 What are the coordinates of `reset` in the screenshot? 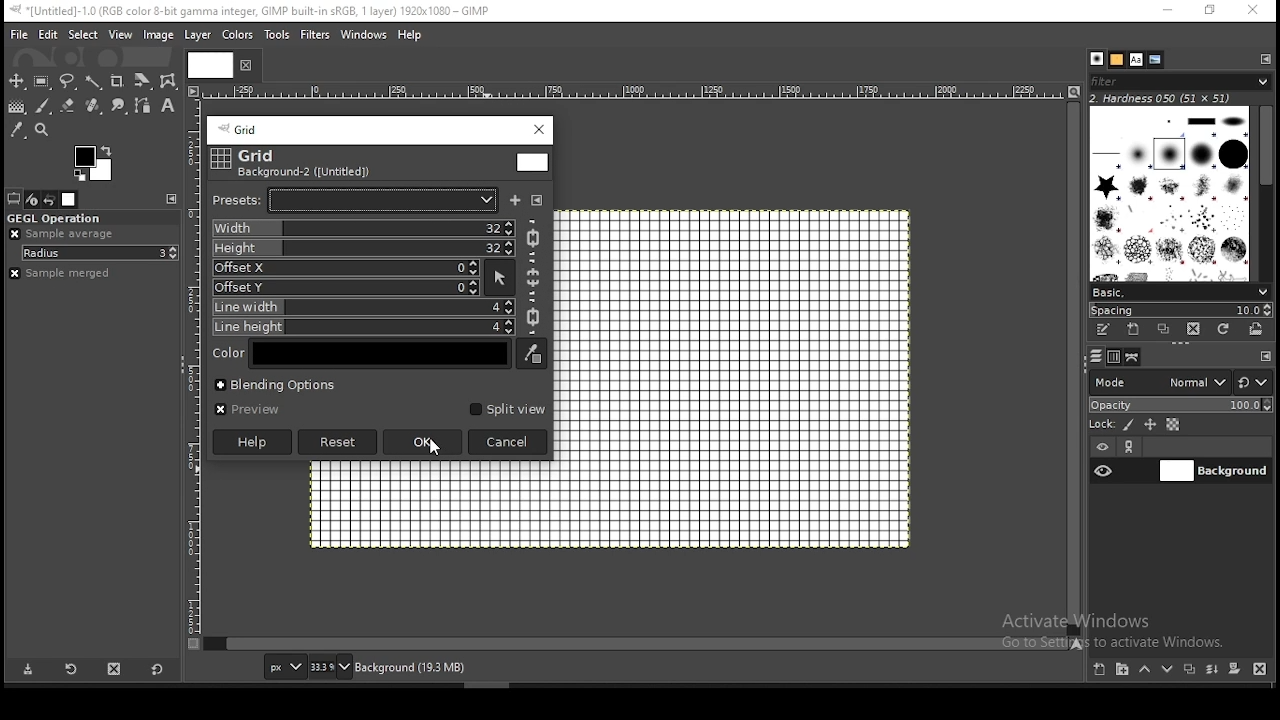 It's located at (338, 442).